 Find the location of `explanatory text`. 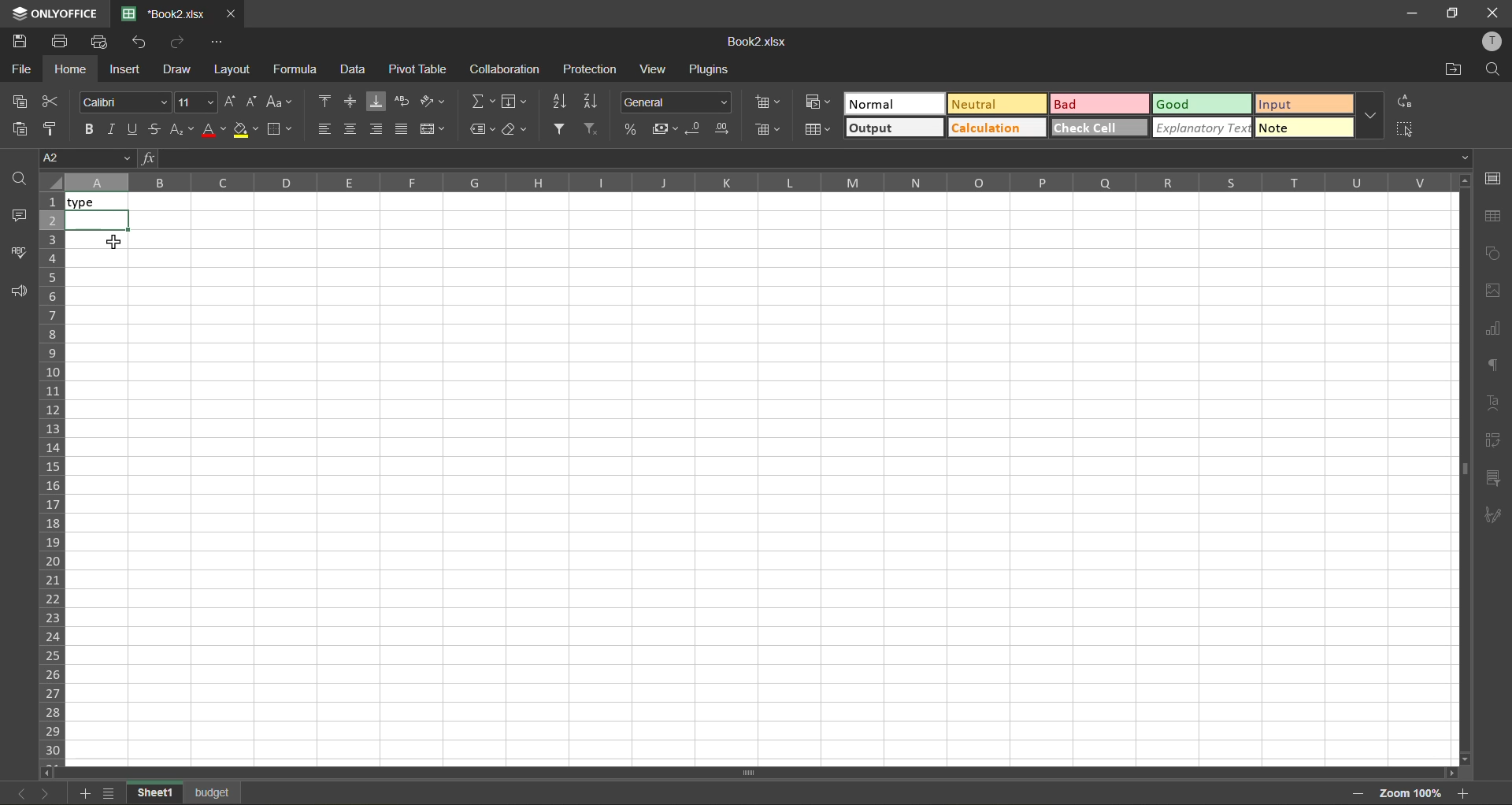

explanatory text is located at coordinates (1201, 129).